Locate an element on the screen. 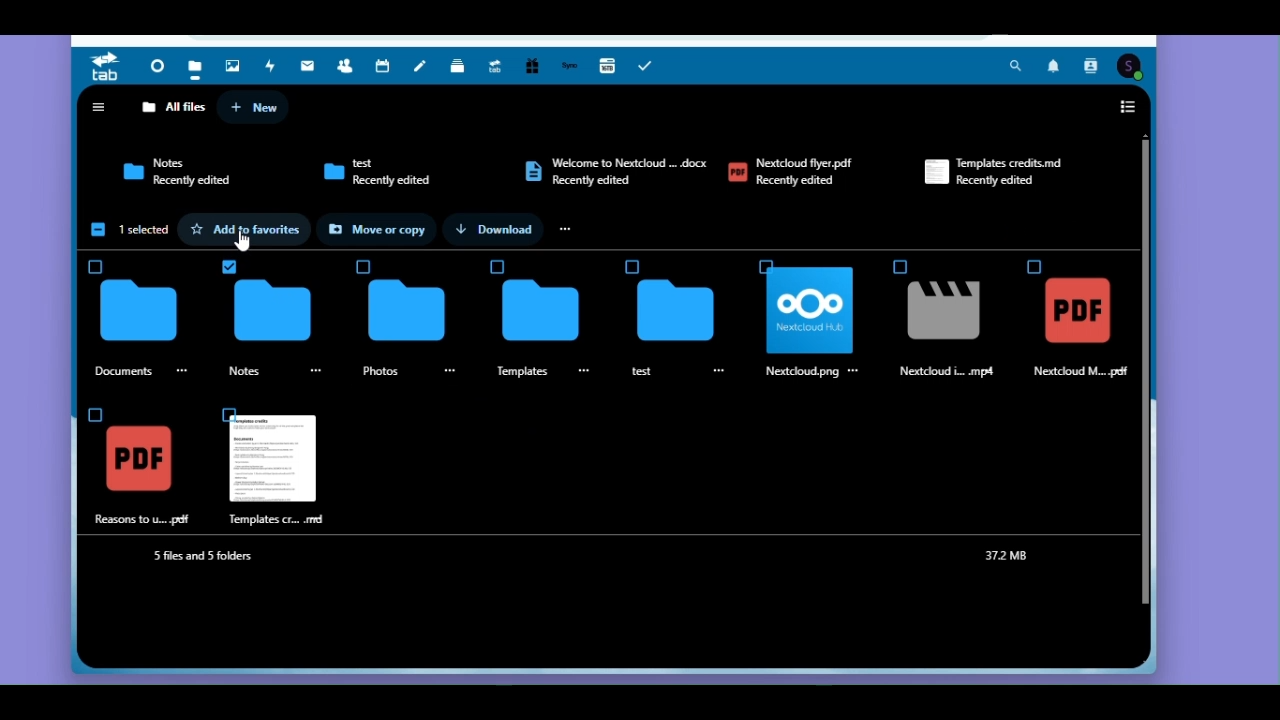  Recently edited is located at coordinates (191, 182).